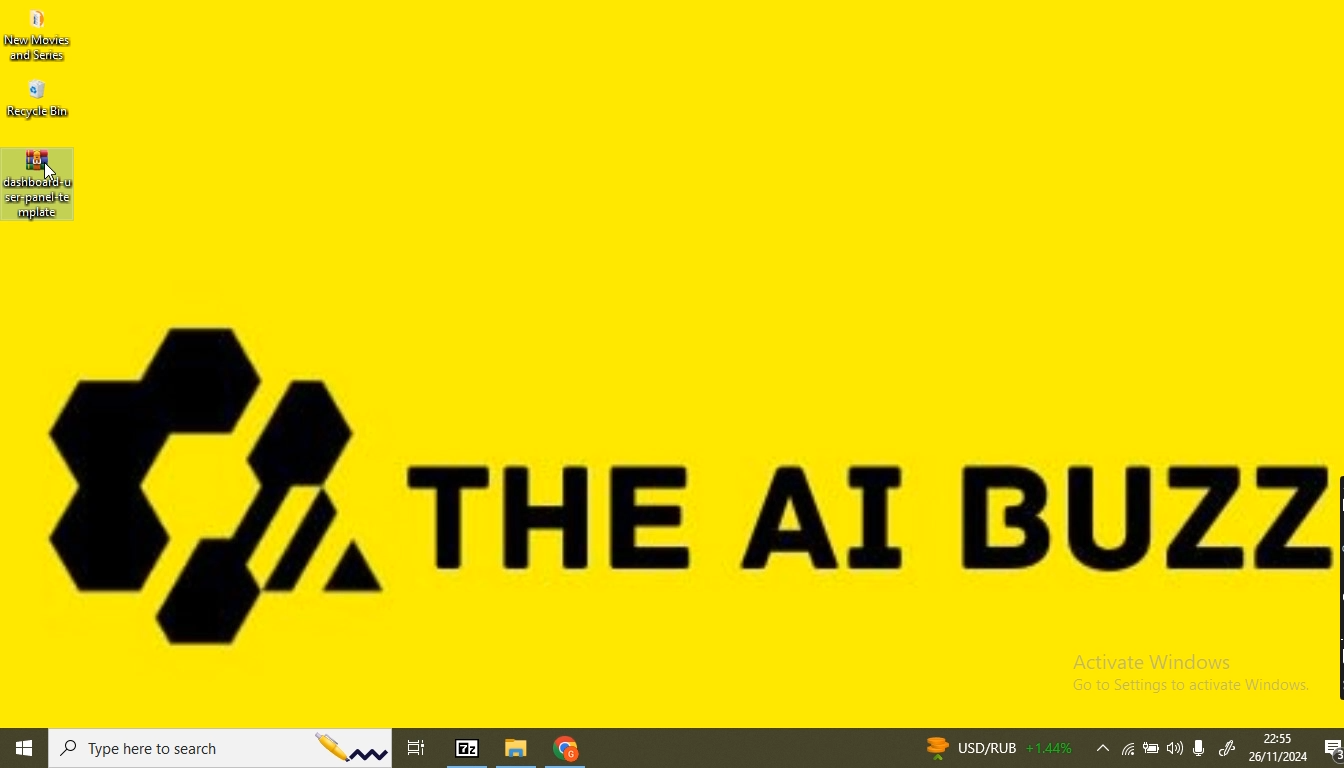 The height and width of the screenshot is (768, 1344). What do you see at coordinates (996, 747) in the screenshot?
I see `news currency rate` at bounding box center [996, 747].